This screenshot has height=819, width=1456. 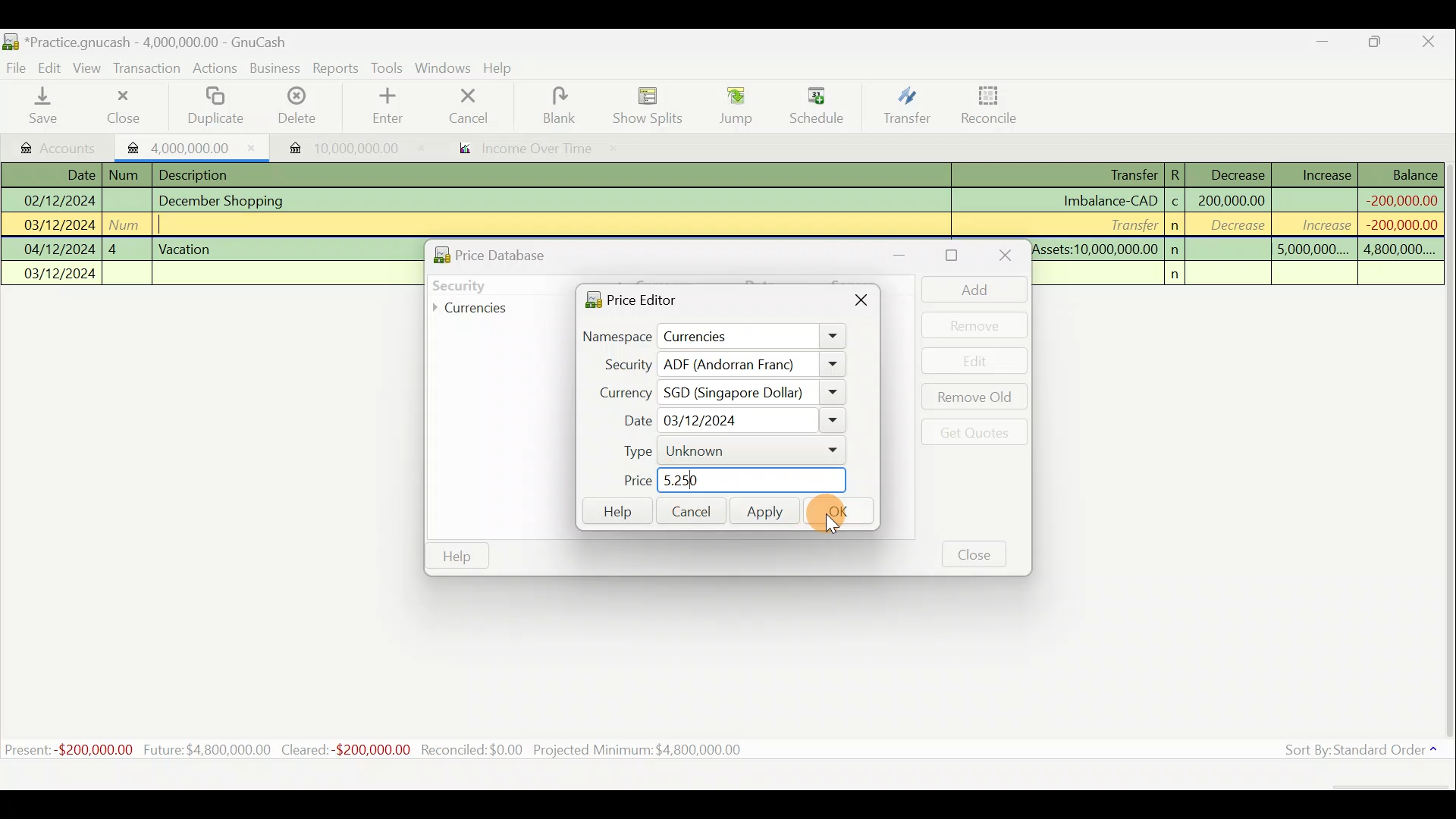 I want to click on Apply, so click(x=765, y=513).